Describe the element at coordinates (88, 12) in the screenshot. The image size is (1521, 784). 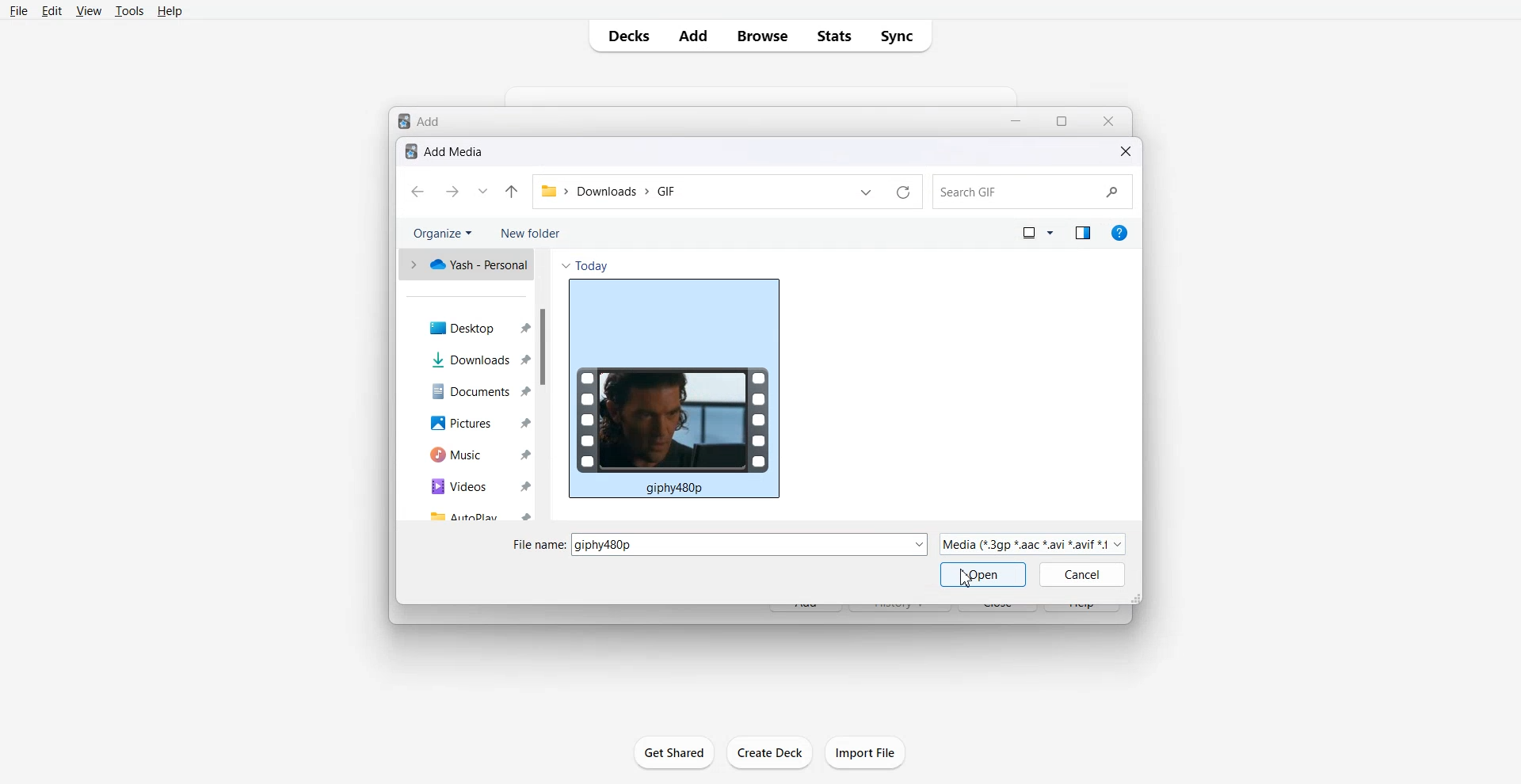
I see `View` at that location.